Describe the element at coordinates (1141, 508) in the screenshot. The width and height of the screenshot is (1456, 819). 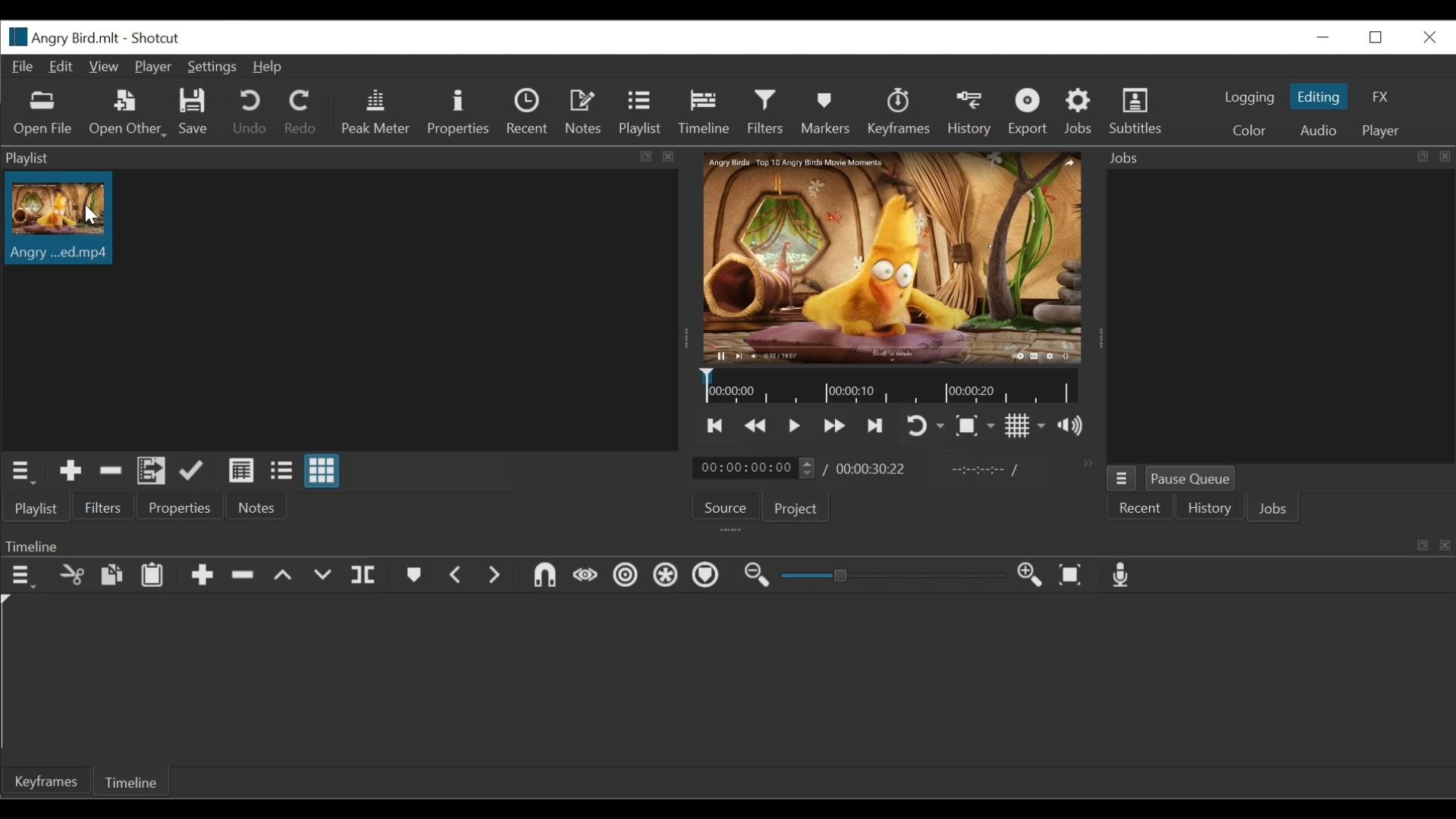
I see `Recent` at that location.